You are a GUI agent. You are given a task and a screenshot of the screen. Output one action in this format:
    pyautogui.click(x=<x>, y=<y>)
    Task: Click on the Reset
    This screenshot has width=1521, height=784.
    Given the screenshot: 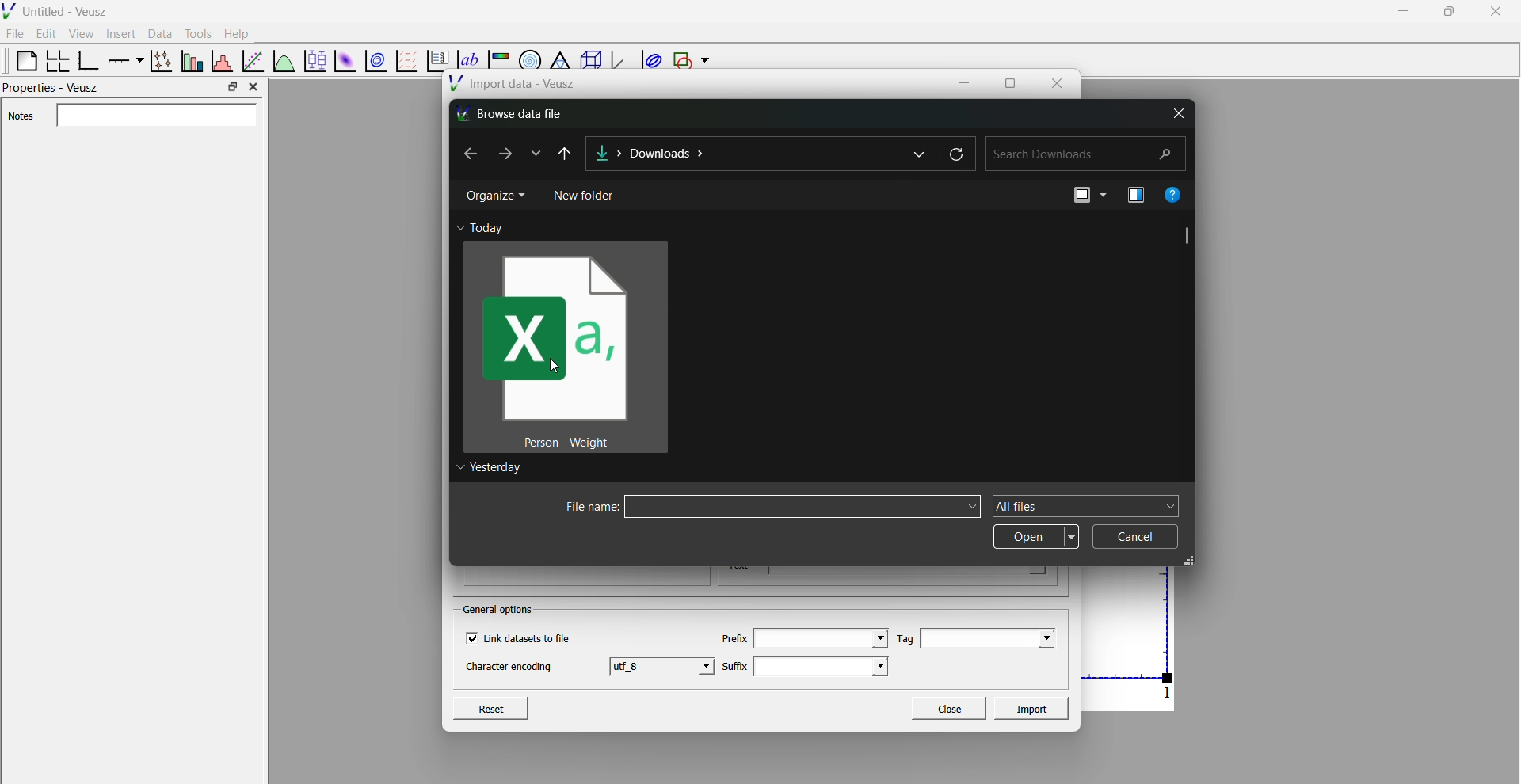 What is the action you would take?
    pyautogui.click(x=507, y=706)
    